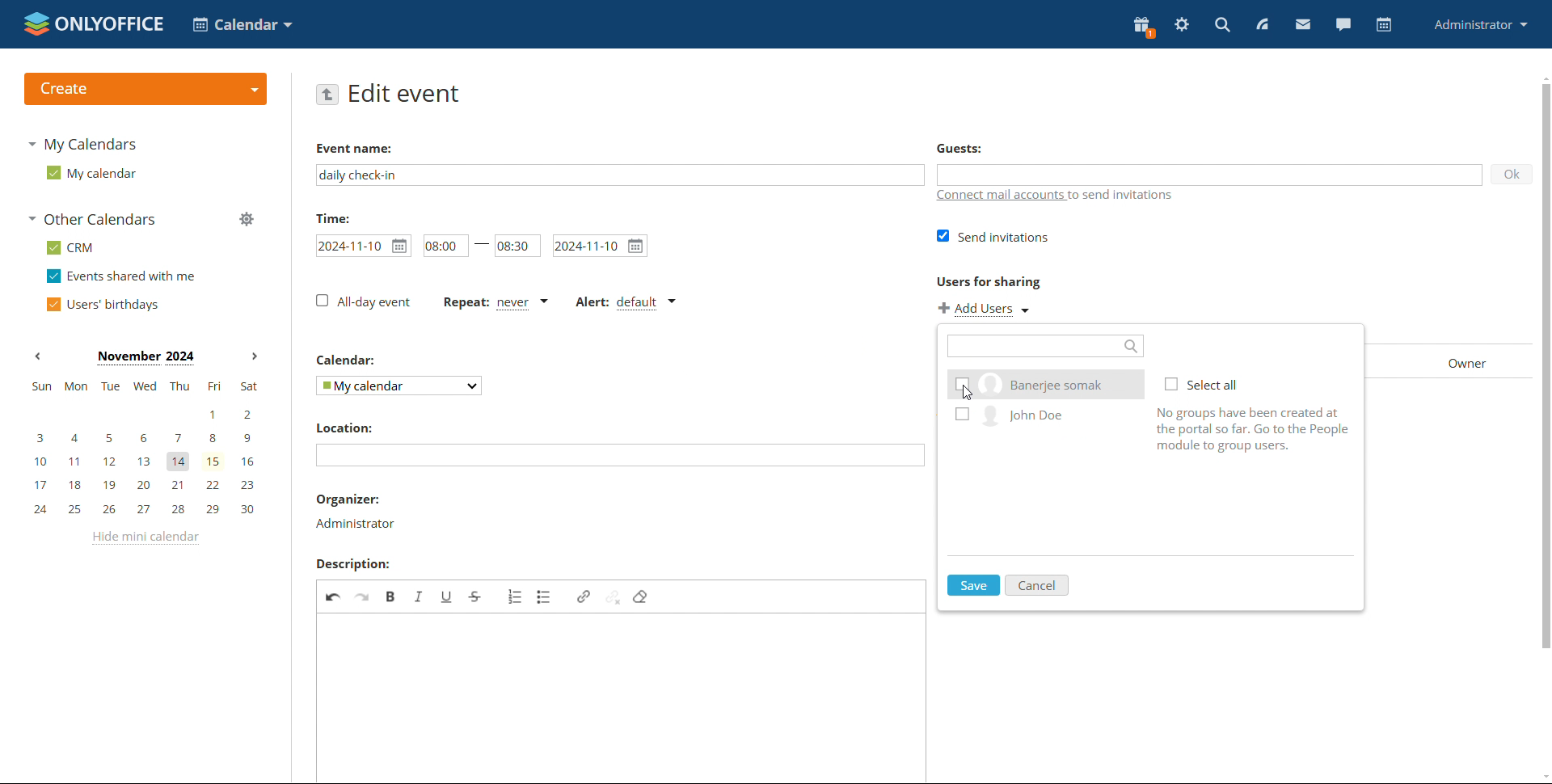 This screenshot has height=784, width=1552. What do you see at coordinates (992, 150) in the screenshot?
I see `guest:` at bounding box center [992, 150].